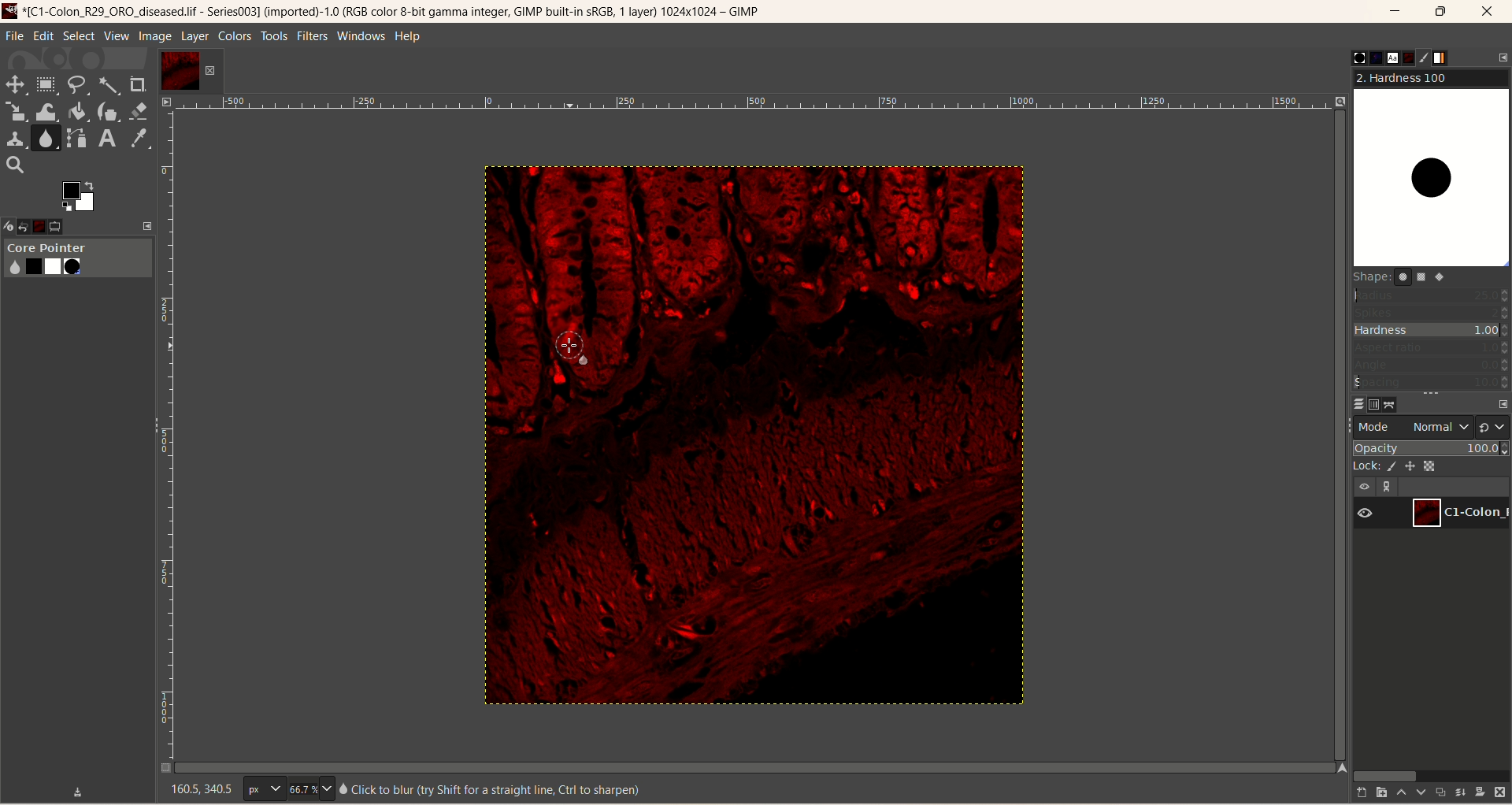  What do you see at coordinates (1494, 426) in the screenshot?
I see `switch to another group of mode` at bounding box center [1494, 426].